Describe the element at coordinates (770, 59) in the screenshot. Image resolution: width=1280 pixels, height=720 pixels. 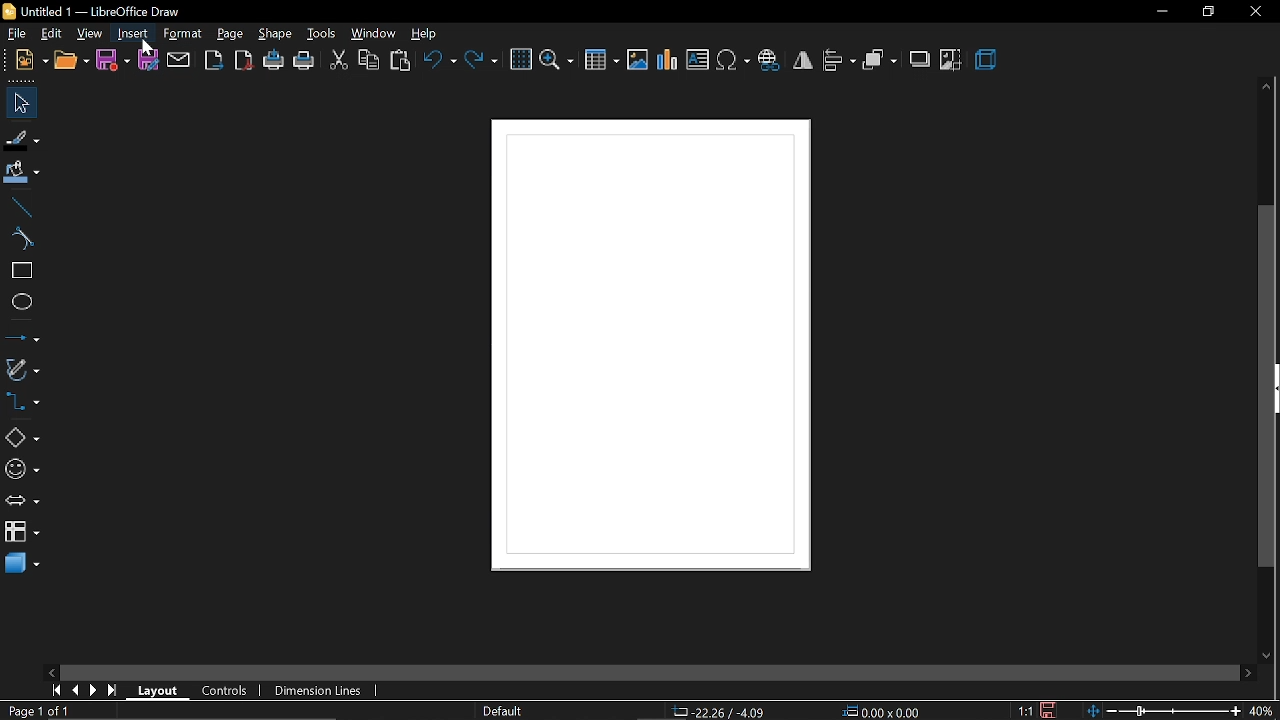
I see `insert hyperlink` at that location.